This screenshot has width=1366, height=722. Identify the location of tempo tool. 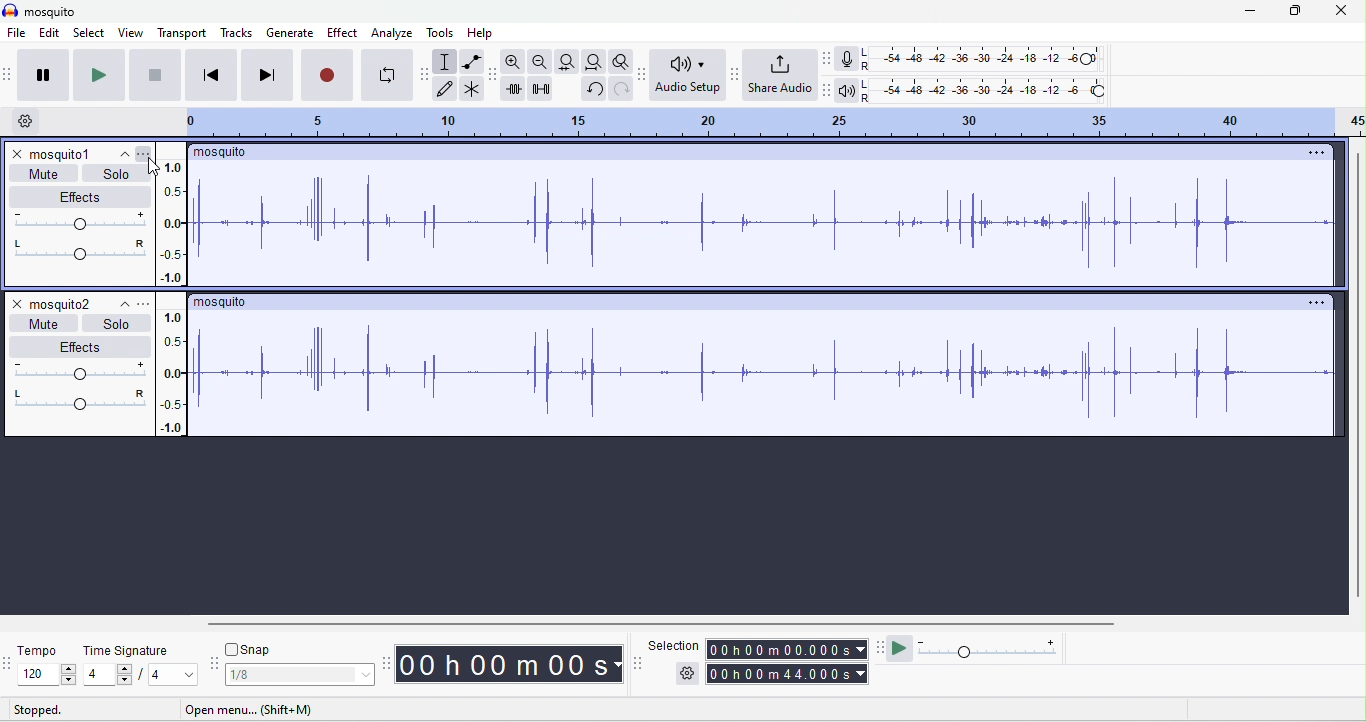
(9, 664).